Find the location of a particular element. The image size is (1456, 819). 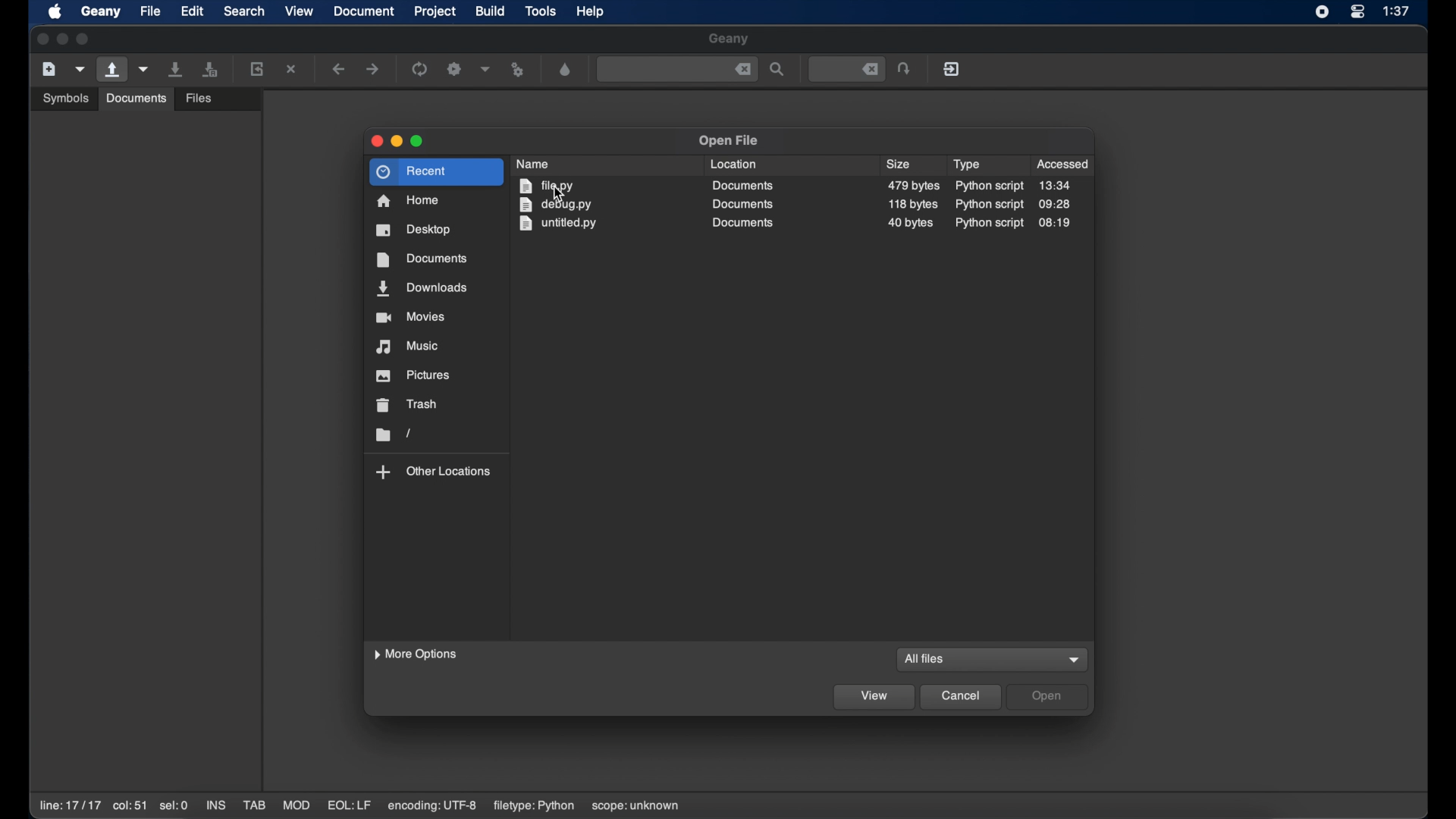

folder is located at coordinates (392, 435).